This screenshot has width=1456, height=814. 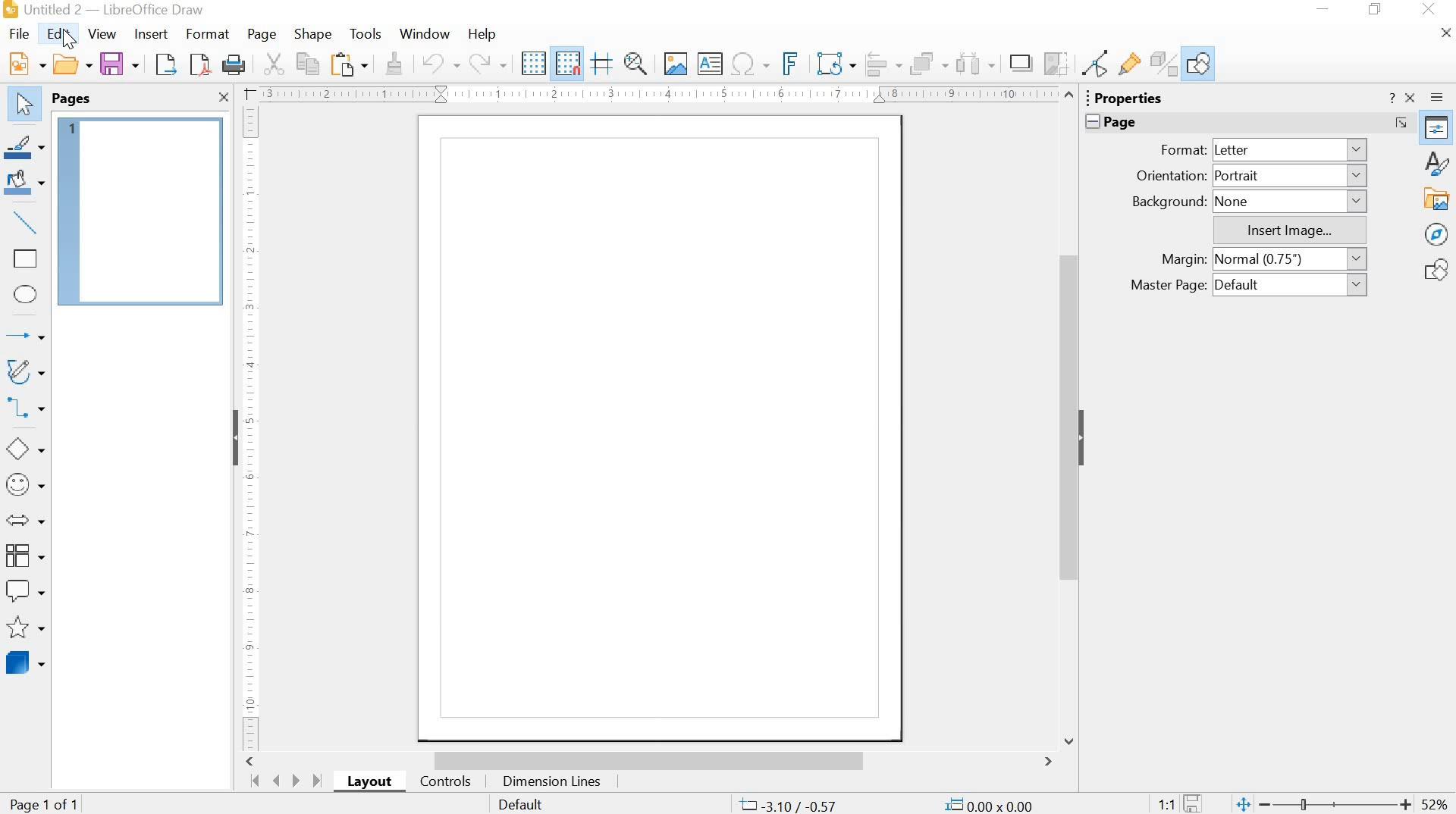 I want to click on Portrait, so click(x=1291, y=174).